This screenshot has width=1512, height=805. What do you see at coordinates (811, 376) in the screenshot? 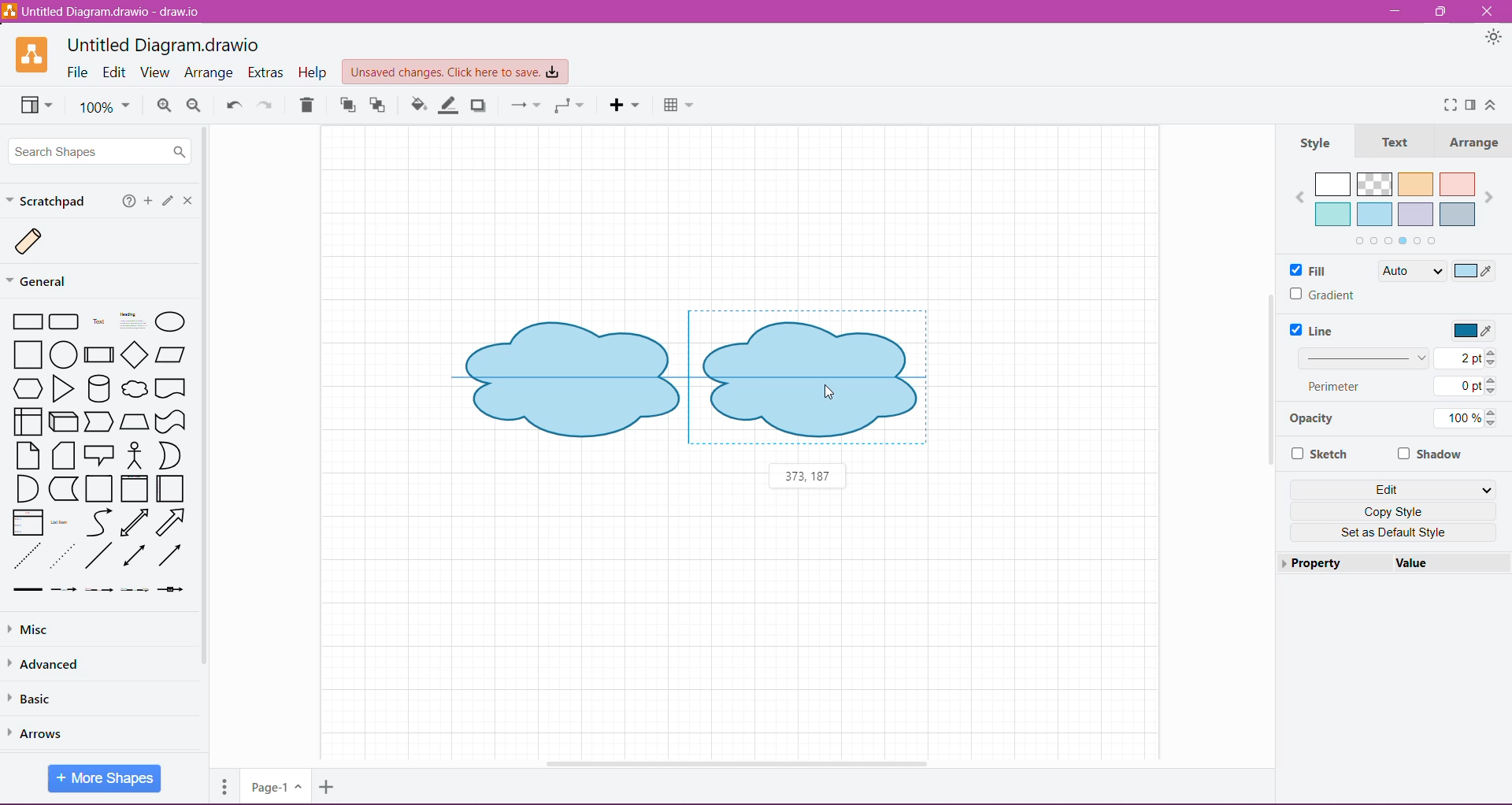
I see `Duplicated Shape dragged beside the original shape` at bounding box center [811, 376].